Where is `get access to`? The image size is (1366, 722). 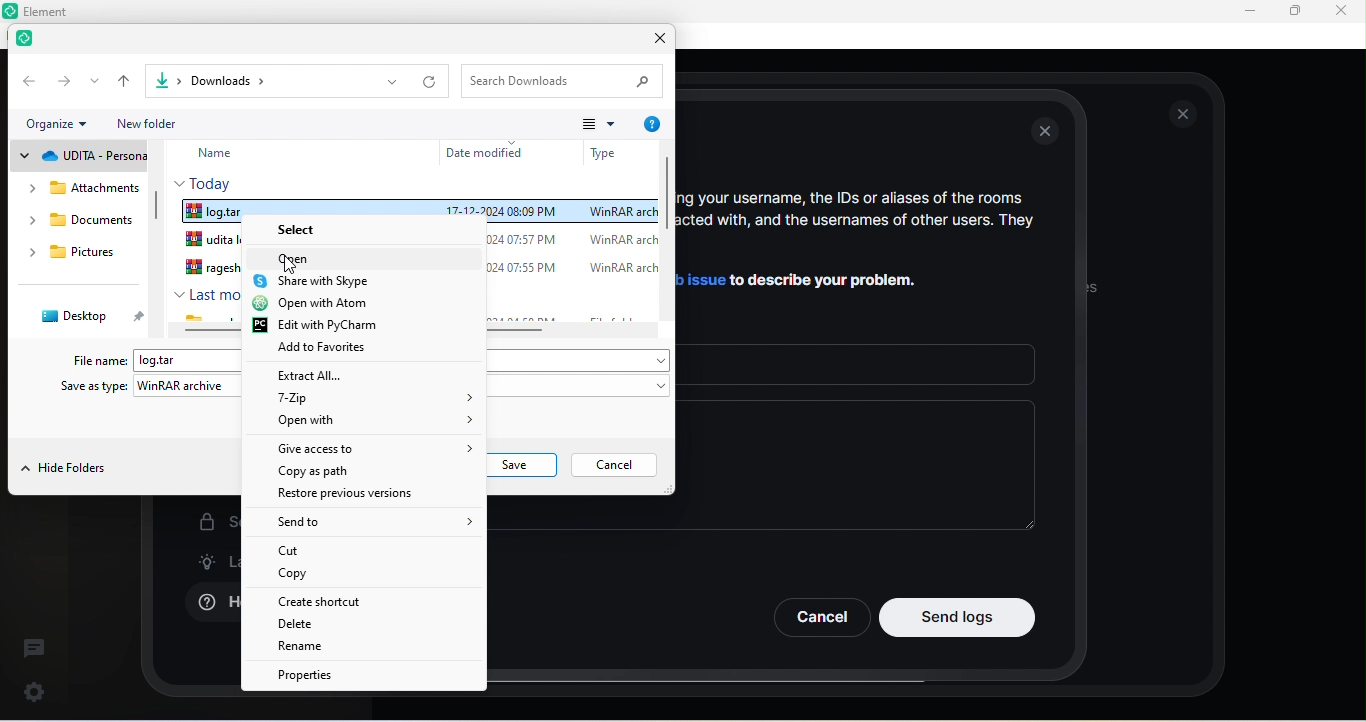 get access to is located at coordinates (364, 451).